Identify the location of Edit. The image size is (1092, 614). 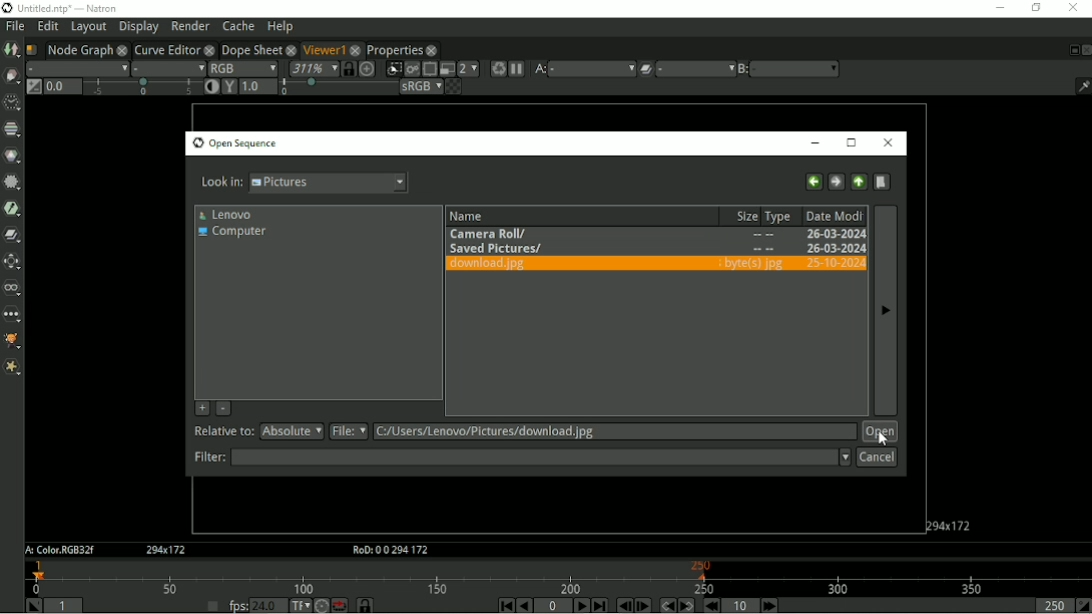
(49, 26).